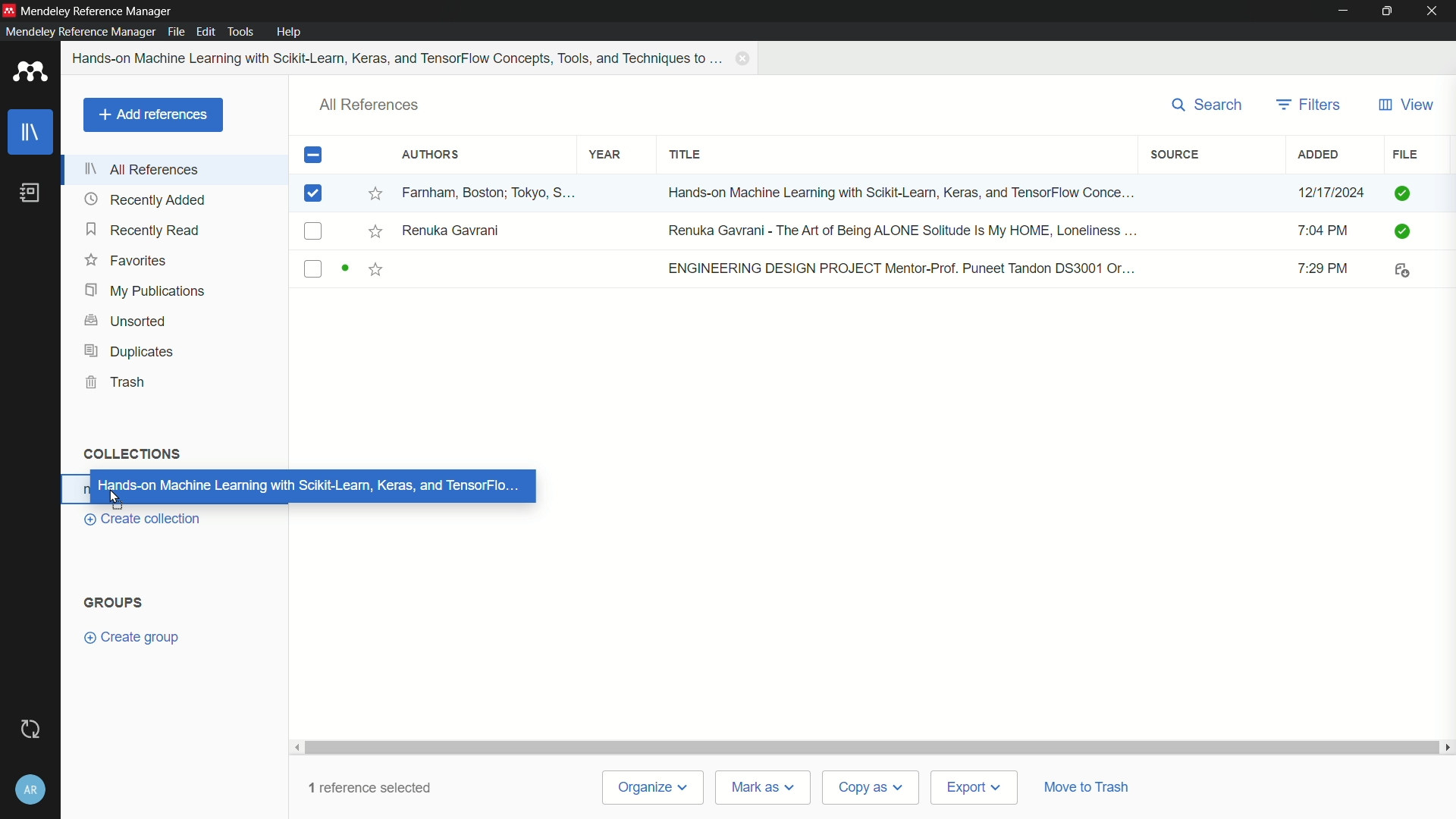  Describe the element at coordinates (399, 58) in the screenshot. I see `book name` at that location.